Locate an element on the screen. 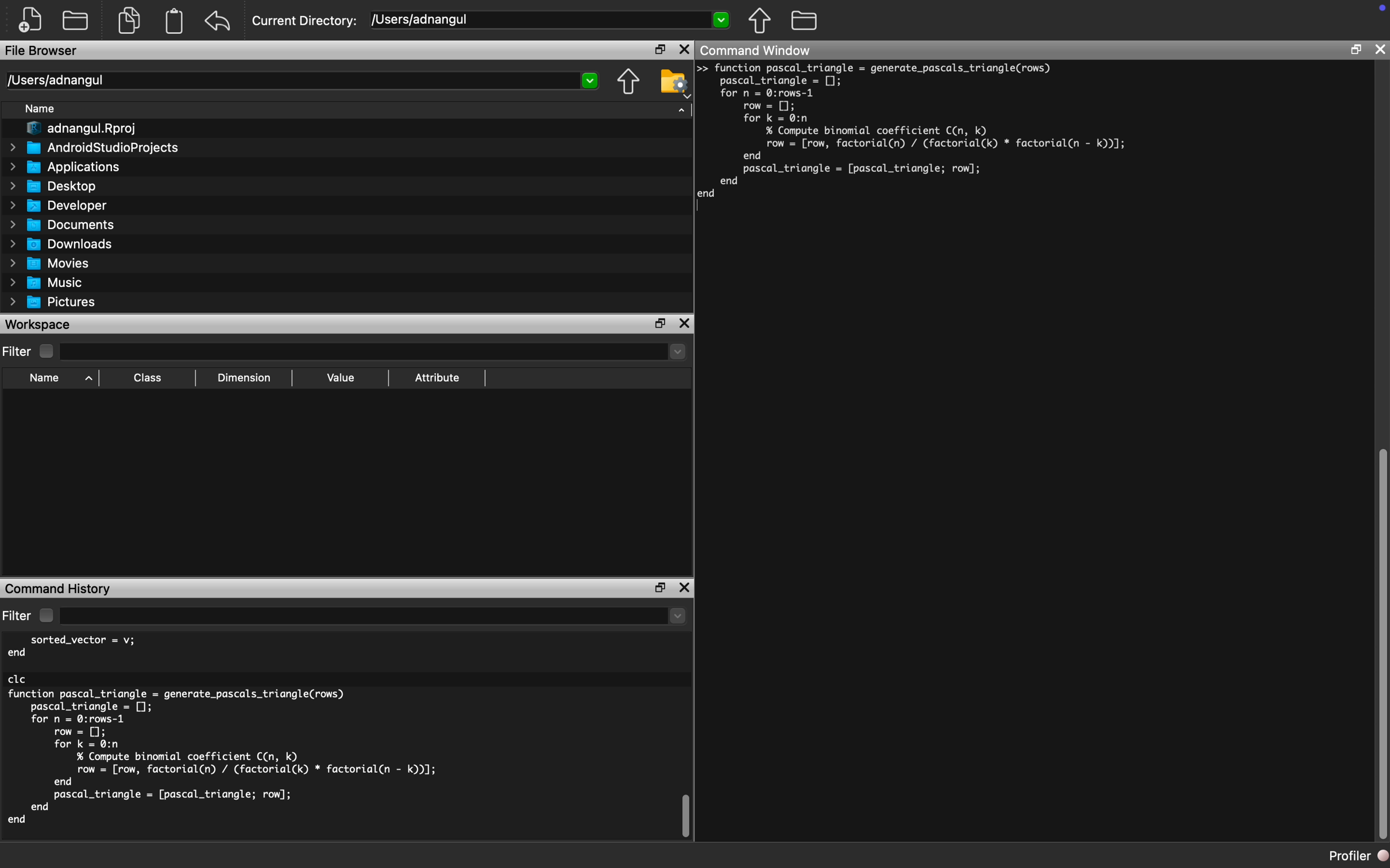  Redo is located at coordinates (219, 22).